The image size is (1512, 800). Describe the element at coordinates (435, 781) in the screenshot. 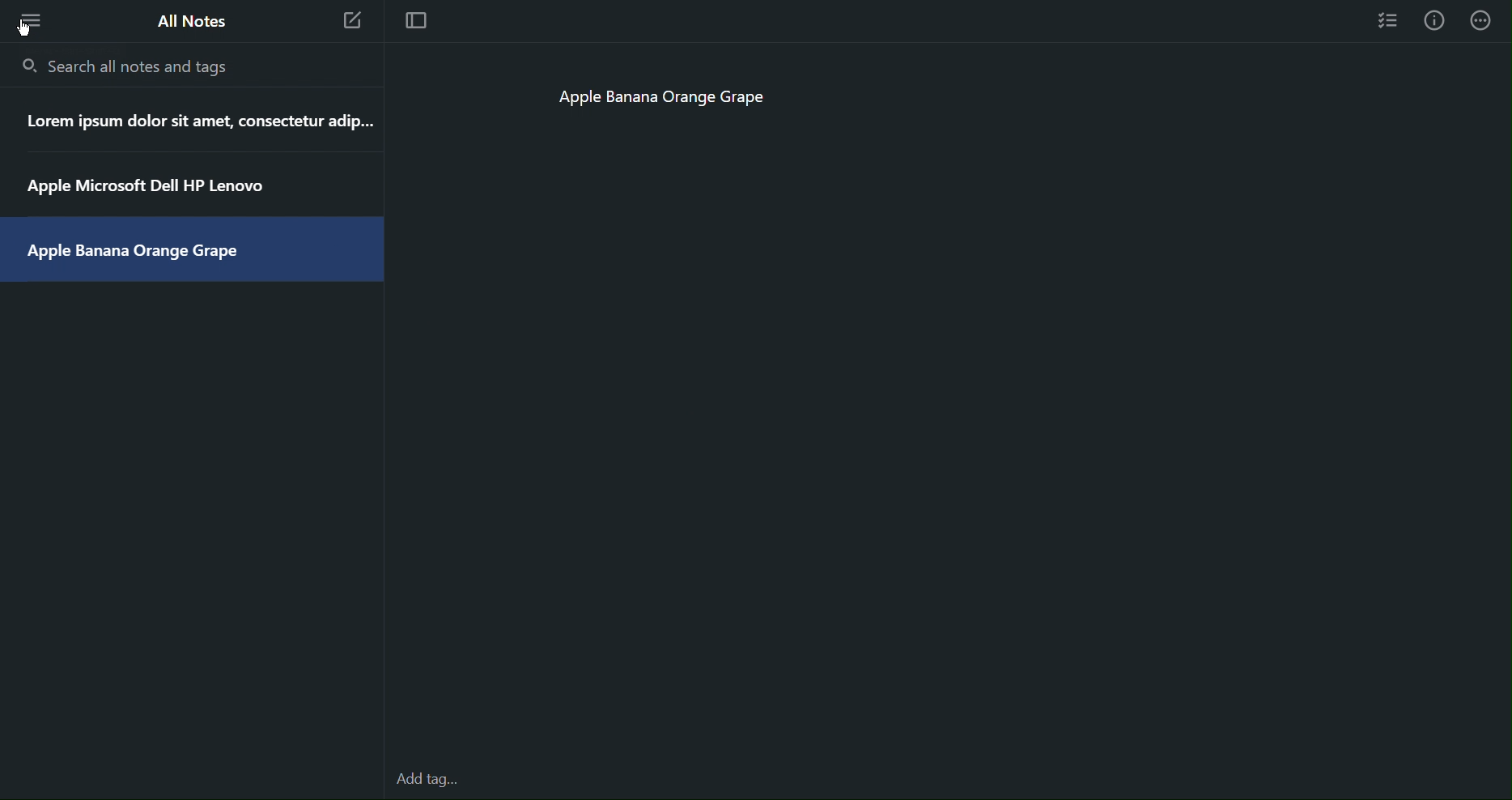

I see `Add tag` at that location.